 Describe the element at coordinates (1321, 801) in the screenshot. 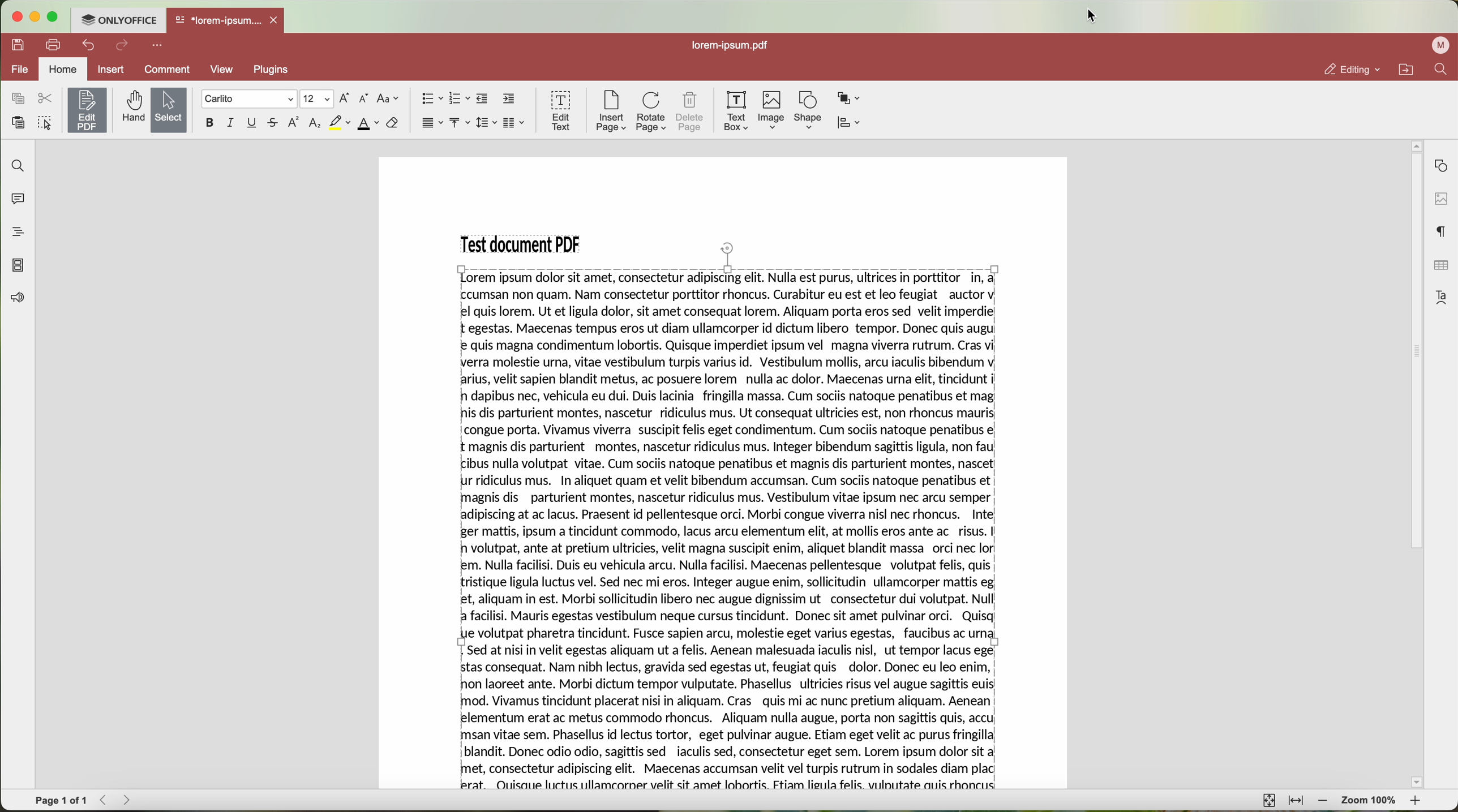

I see `zoom out` at that location.